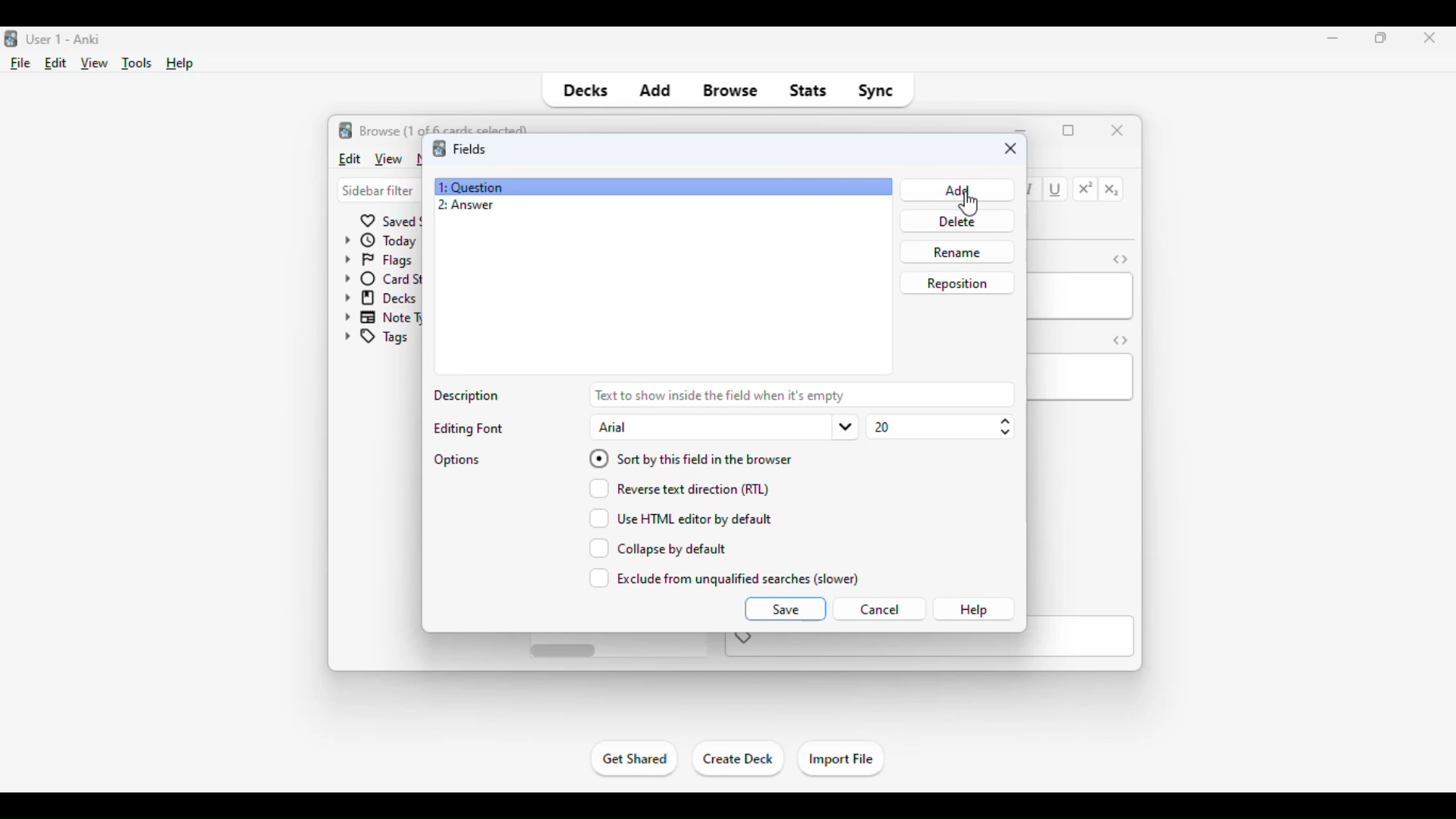  Describe the element at coordinates (723, 427) in the screenshot. I see `arial` at that location.